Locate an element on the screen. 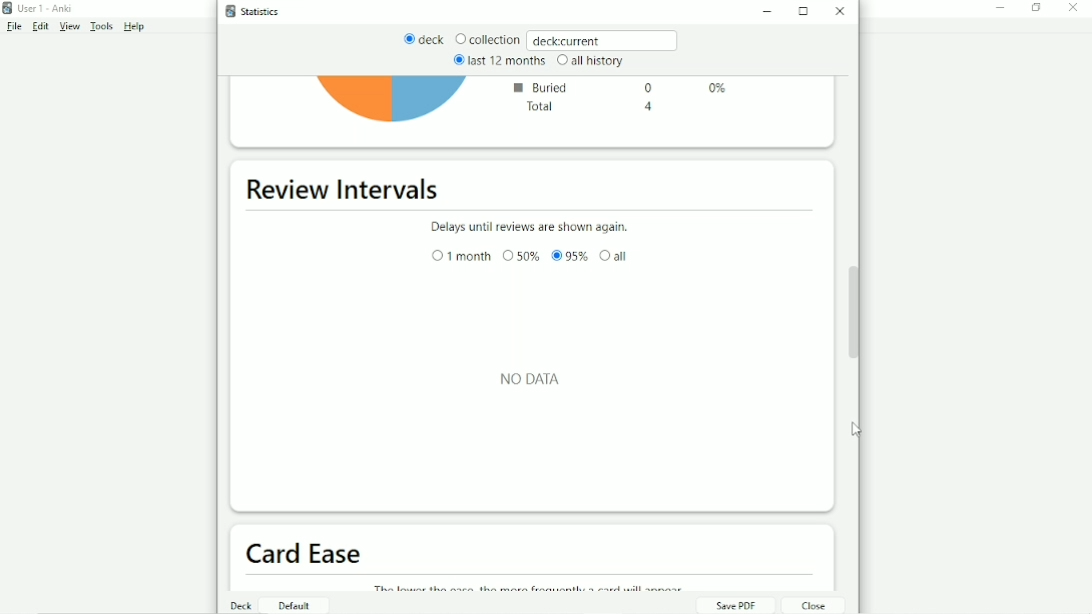 Image resolution: width=1092 pixels, height=614 pixels. Save PDF is located at coordinates (735, 605).